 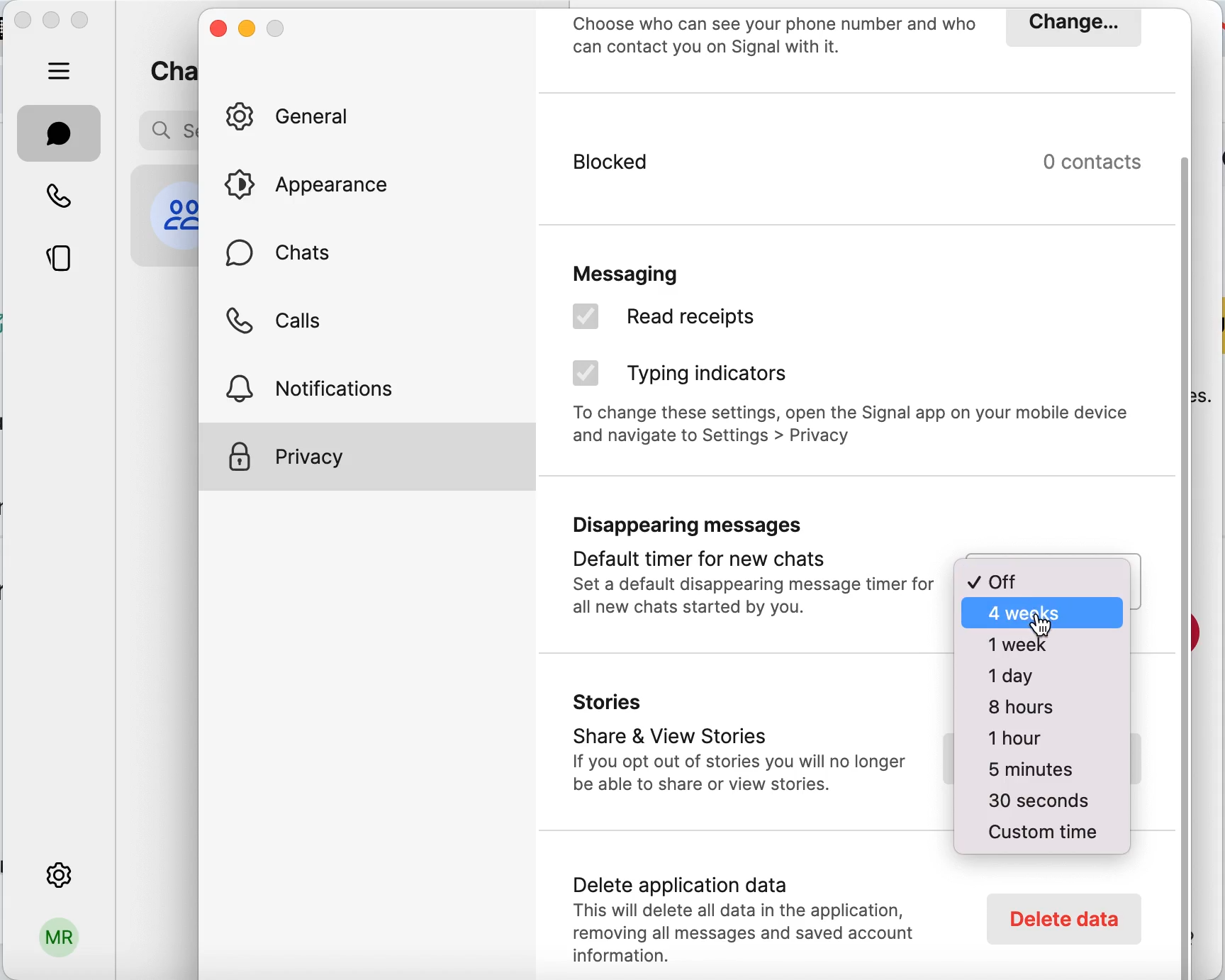 I want to click on 1 hour, so click(x=1023, y=742).